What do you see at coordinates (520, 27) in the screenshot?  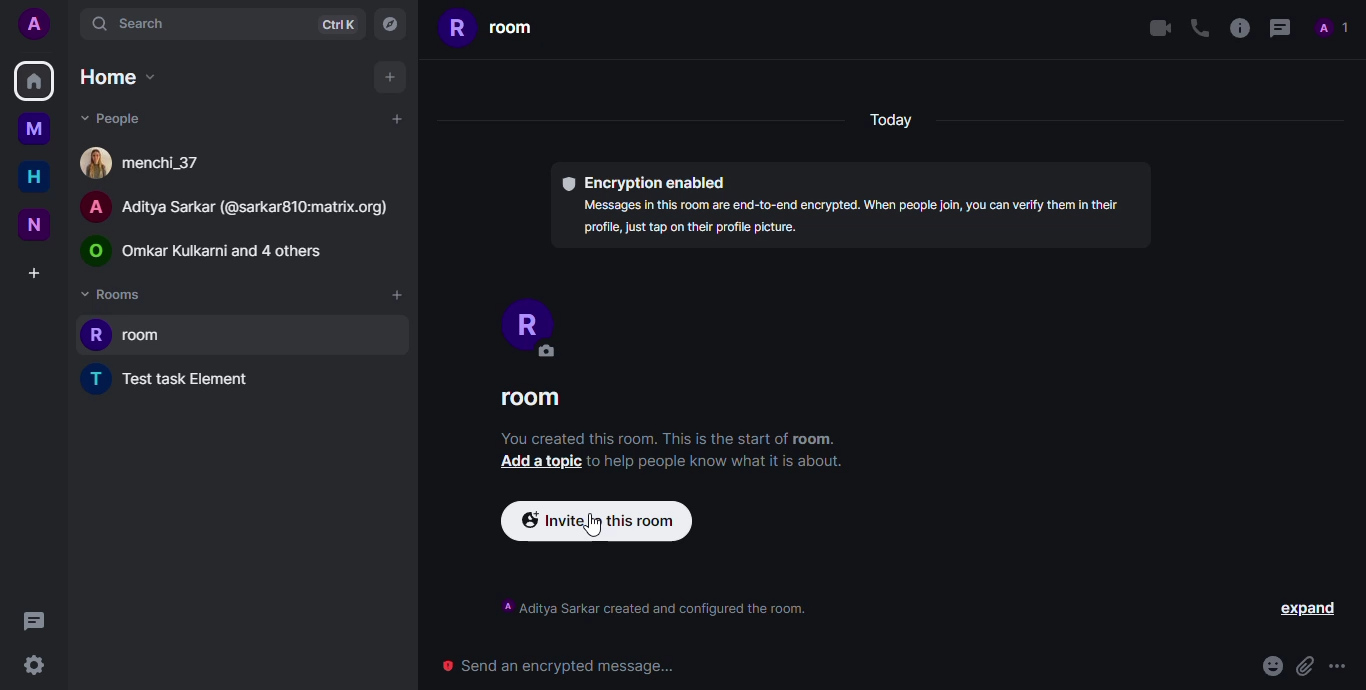 I see `room` at bounding box center [520, 27].